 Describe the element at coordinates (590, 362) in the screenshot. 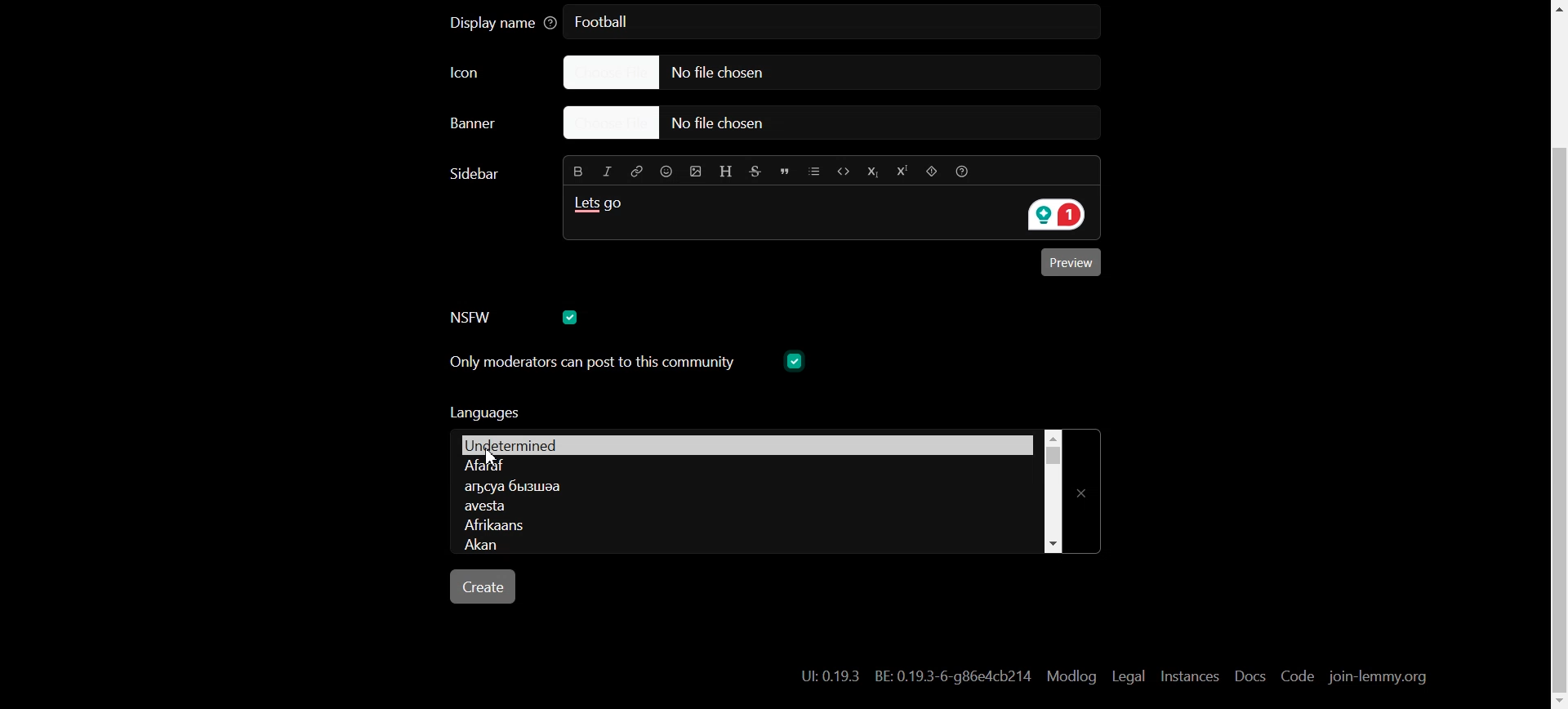

I see `Enable post to community` at that location.